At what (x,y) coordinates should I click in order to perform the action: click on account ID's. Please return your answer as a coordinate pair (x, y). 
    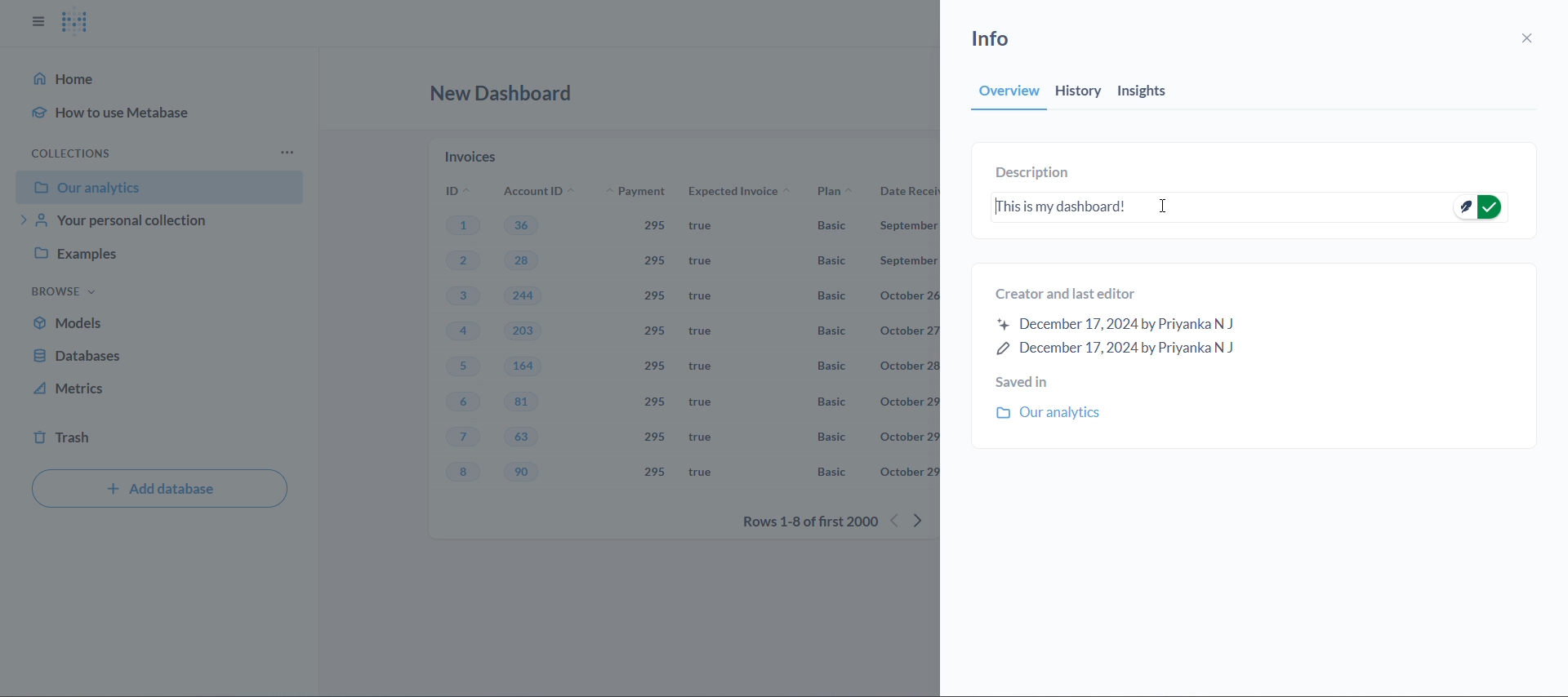
    Looking at the image, I should click on (537, 191).